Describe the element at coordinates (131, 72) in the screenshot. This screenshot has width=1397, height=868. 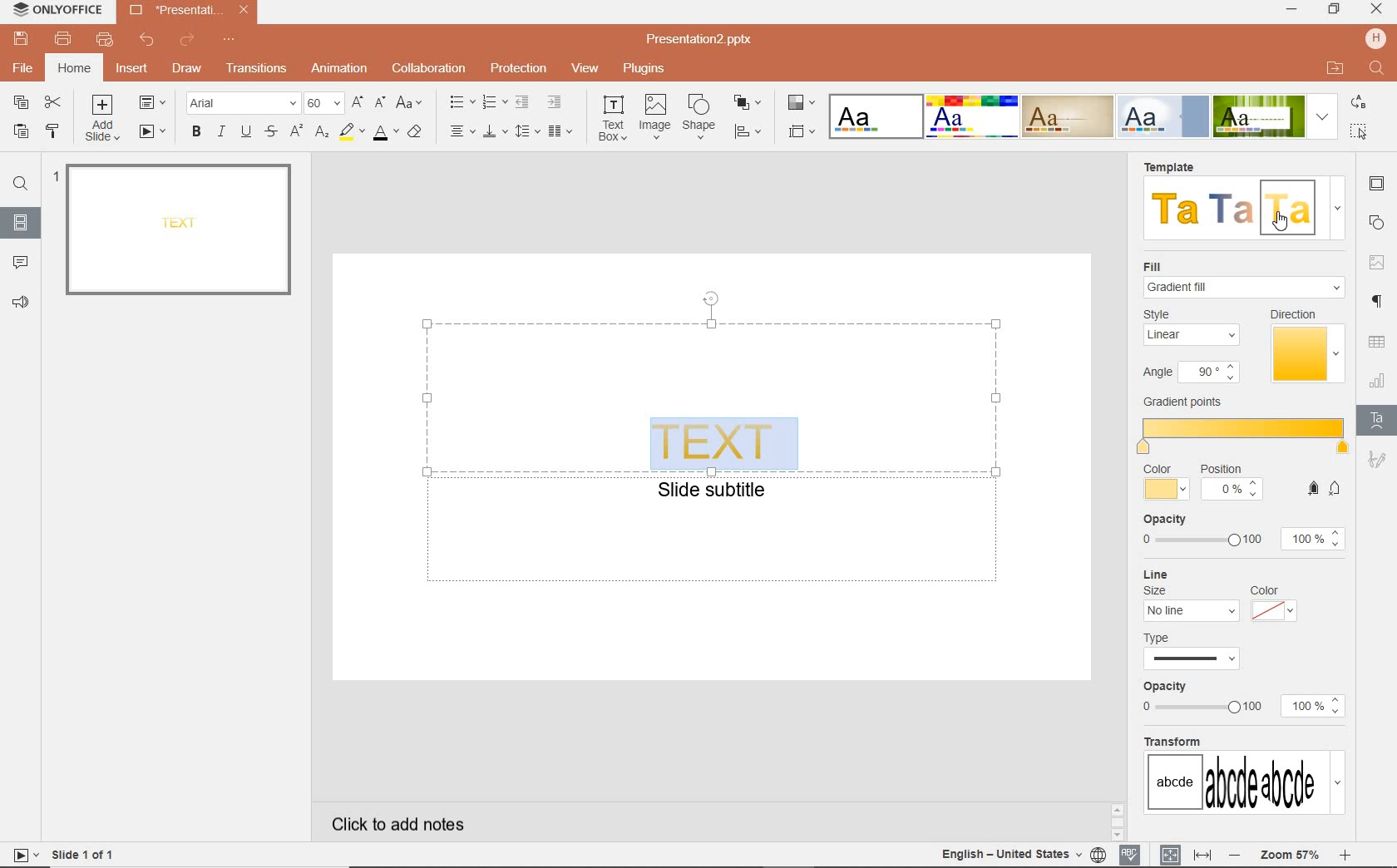
I see `INSERT` at that location.